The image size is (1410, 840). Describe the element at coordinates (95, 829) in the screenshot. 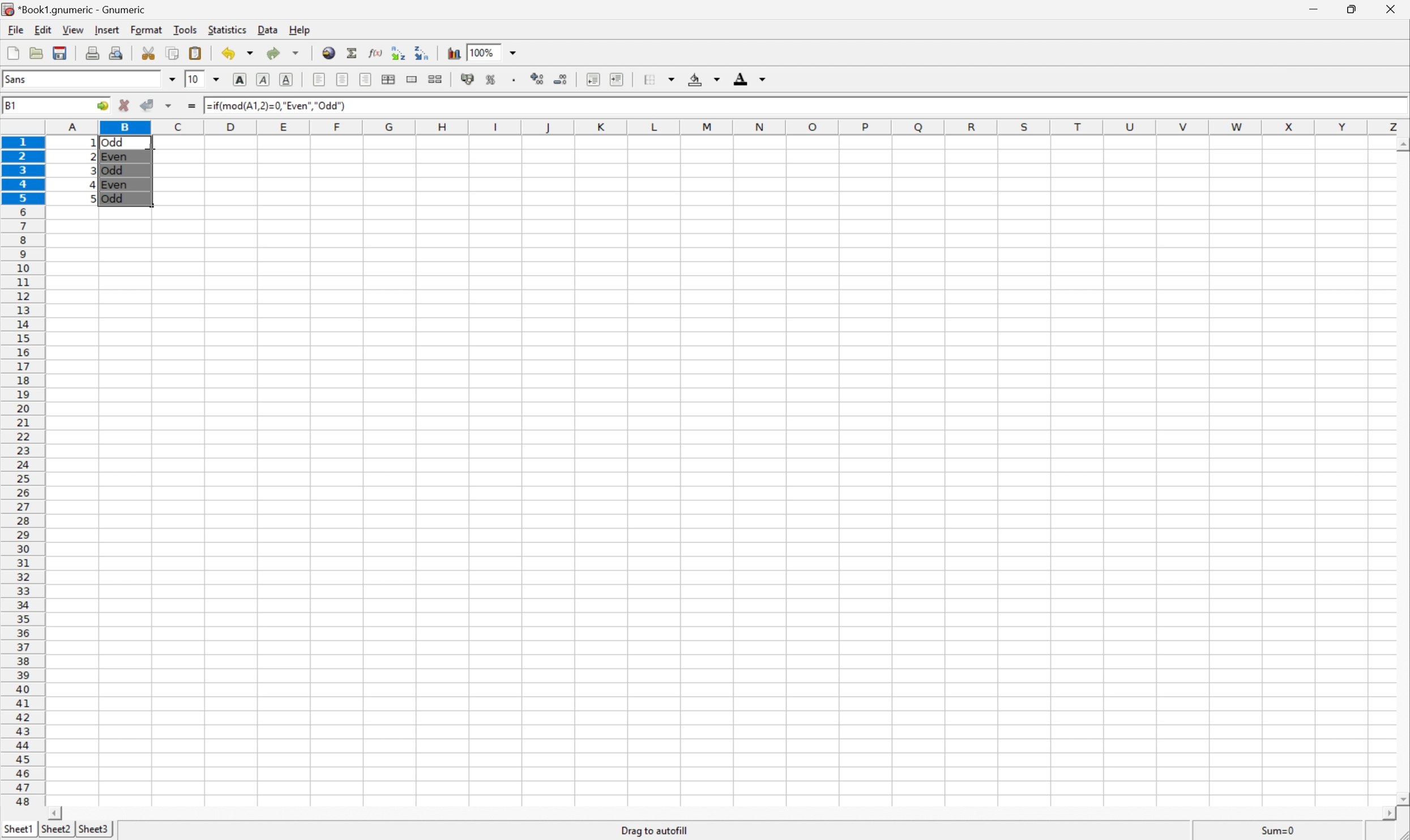

I see `Sheet3` at that location.